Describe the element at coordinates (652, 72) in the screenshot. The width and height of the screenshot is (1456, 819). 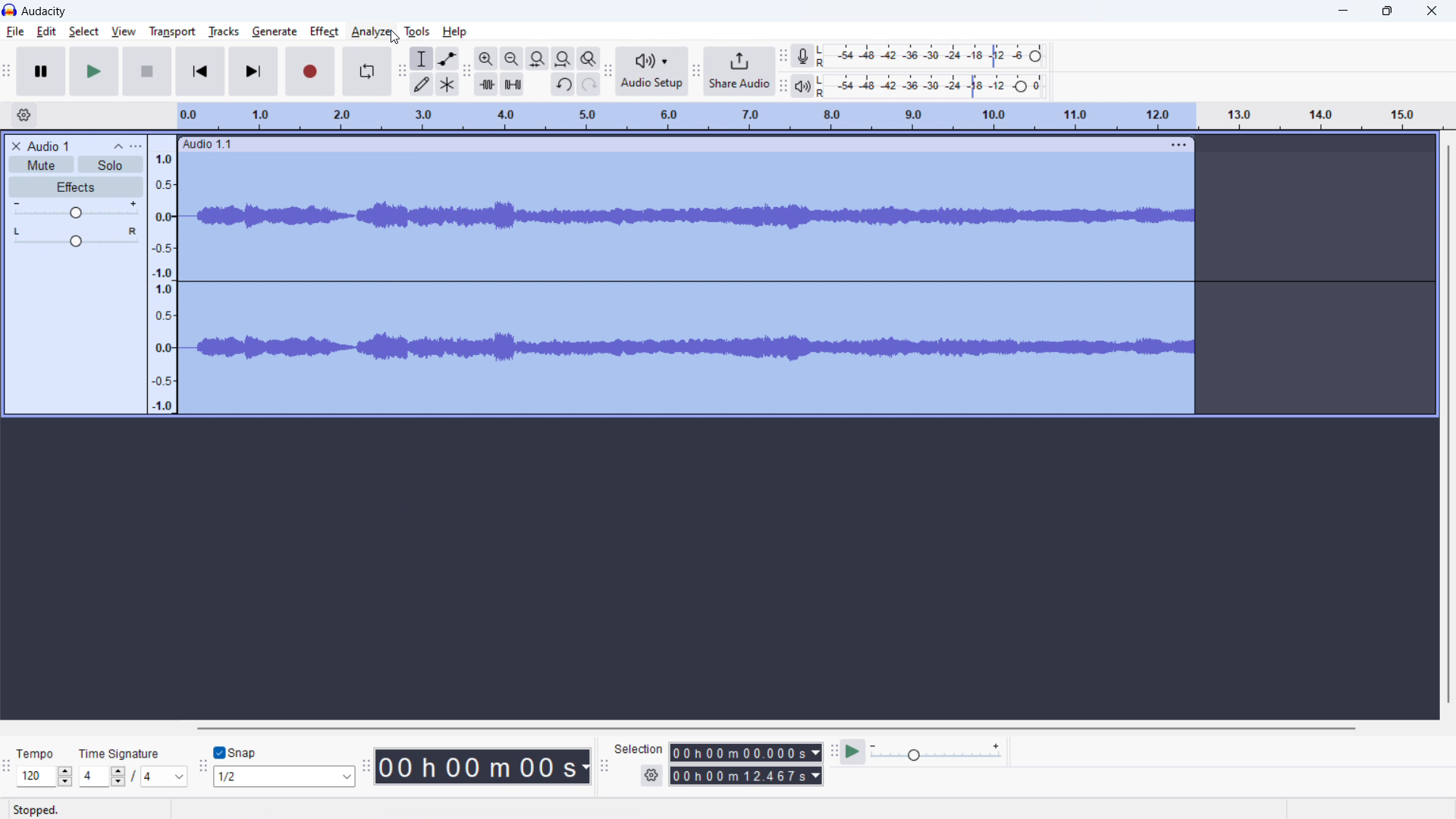
I see `audio setup` at that location.